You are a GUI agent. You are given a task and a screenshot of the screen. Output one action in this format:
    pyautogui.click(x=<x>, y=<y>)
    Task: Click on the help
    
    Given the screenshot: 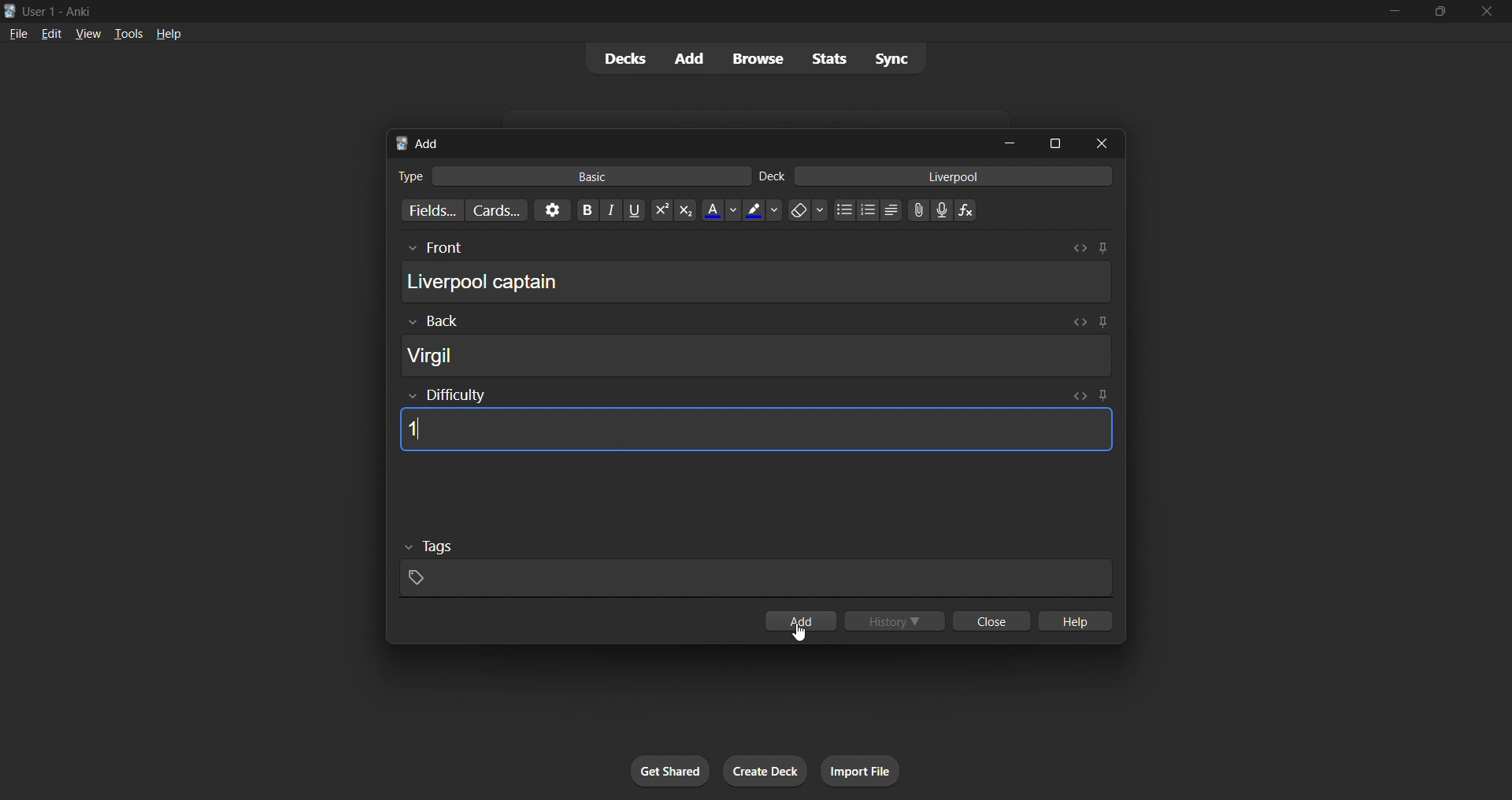 What is the action you would take?
    pyautogui.click(x=169, y=34)
    